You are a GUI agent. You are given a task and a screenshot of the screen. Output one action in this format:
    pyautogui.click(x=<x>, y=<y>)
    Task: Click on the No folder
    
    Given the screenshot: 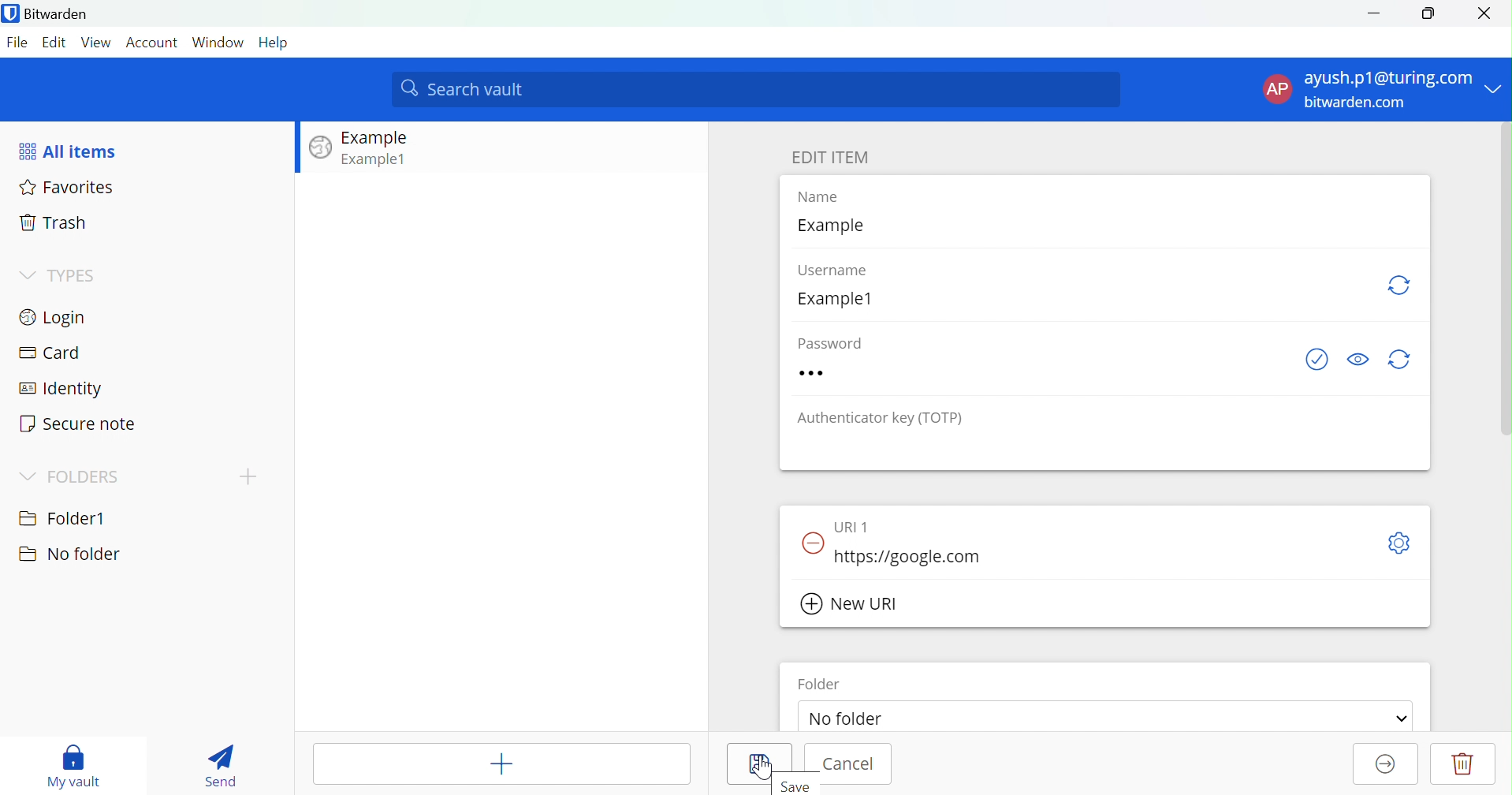 What is the action you would take?
    pyautogui.click(x=853, y=720)
    